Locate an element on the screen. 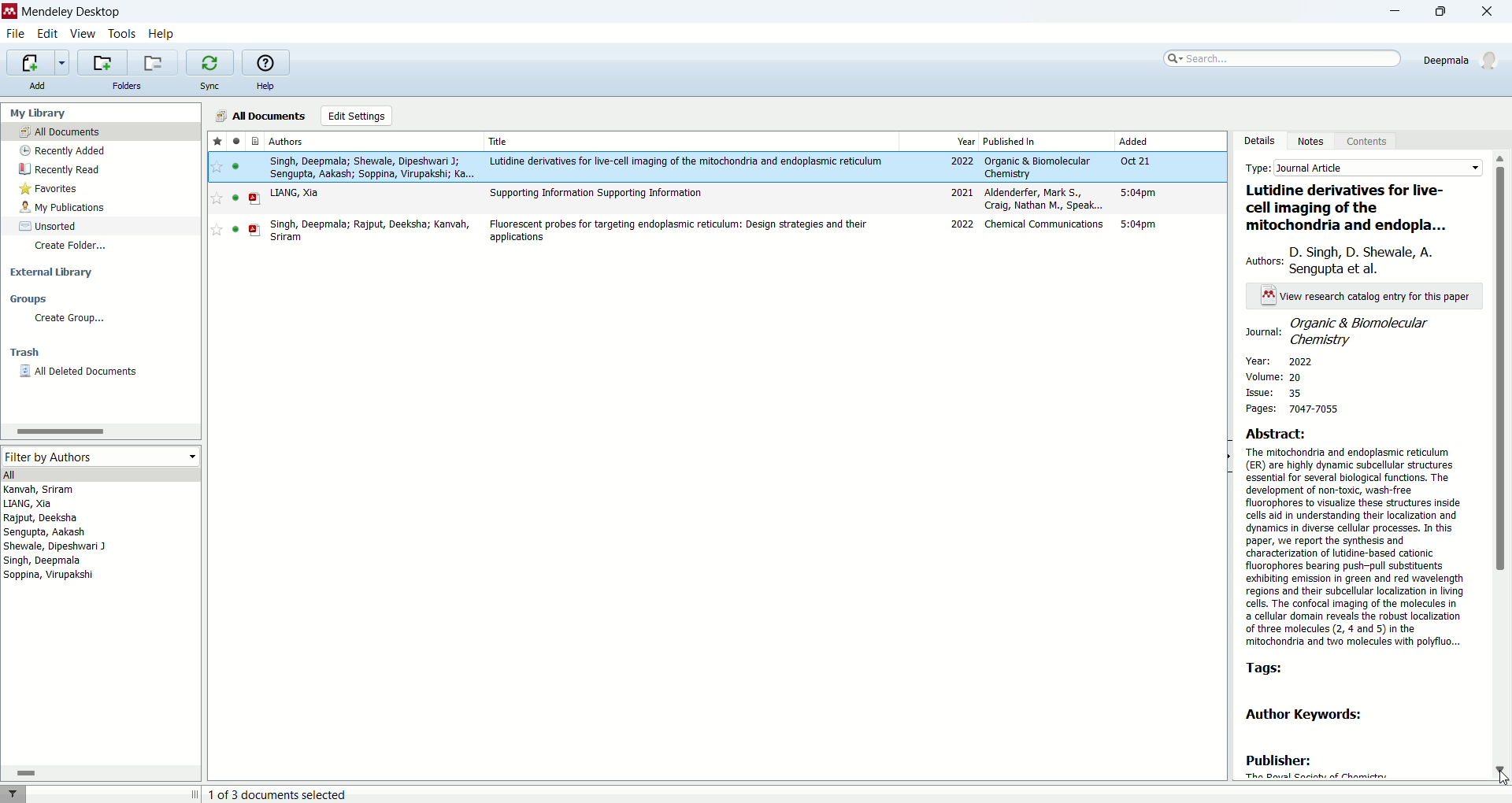  filter by authors is located at coordinates (98, 456).